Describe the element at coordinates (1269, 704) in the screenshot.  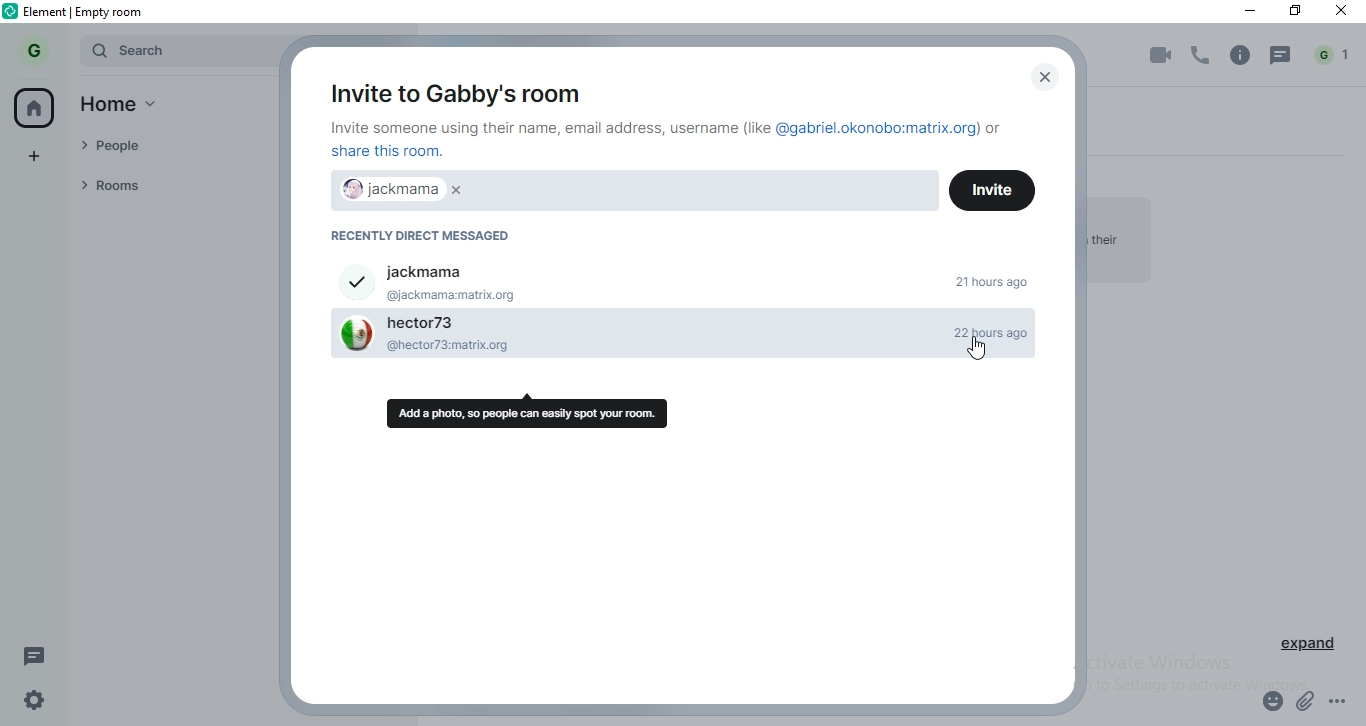
I see `emoji` at that location.